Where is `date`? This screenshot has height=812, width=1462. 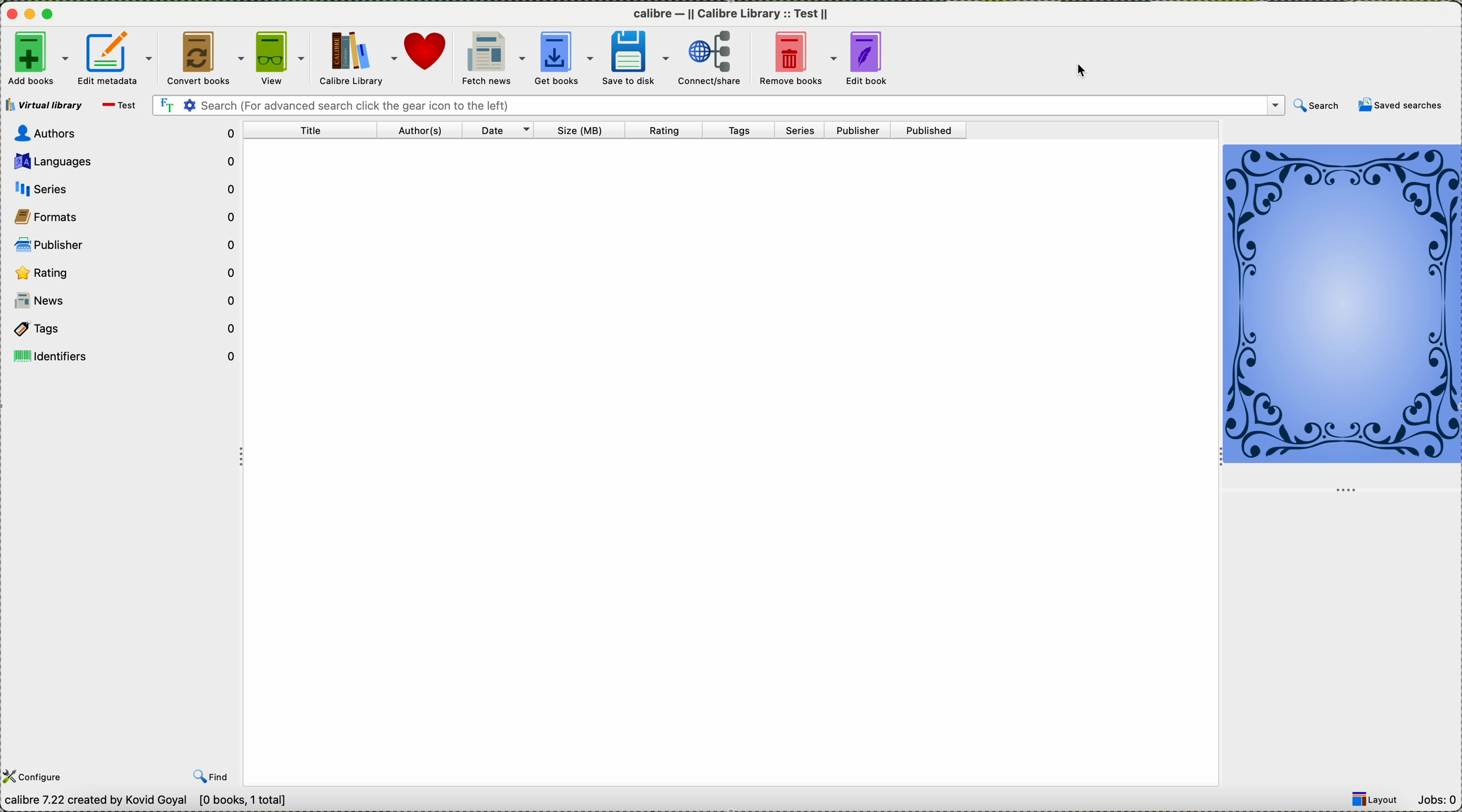
date is located at coordinates (510, 131).